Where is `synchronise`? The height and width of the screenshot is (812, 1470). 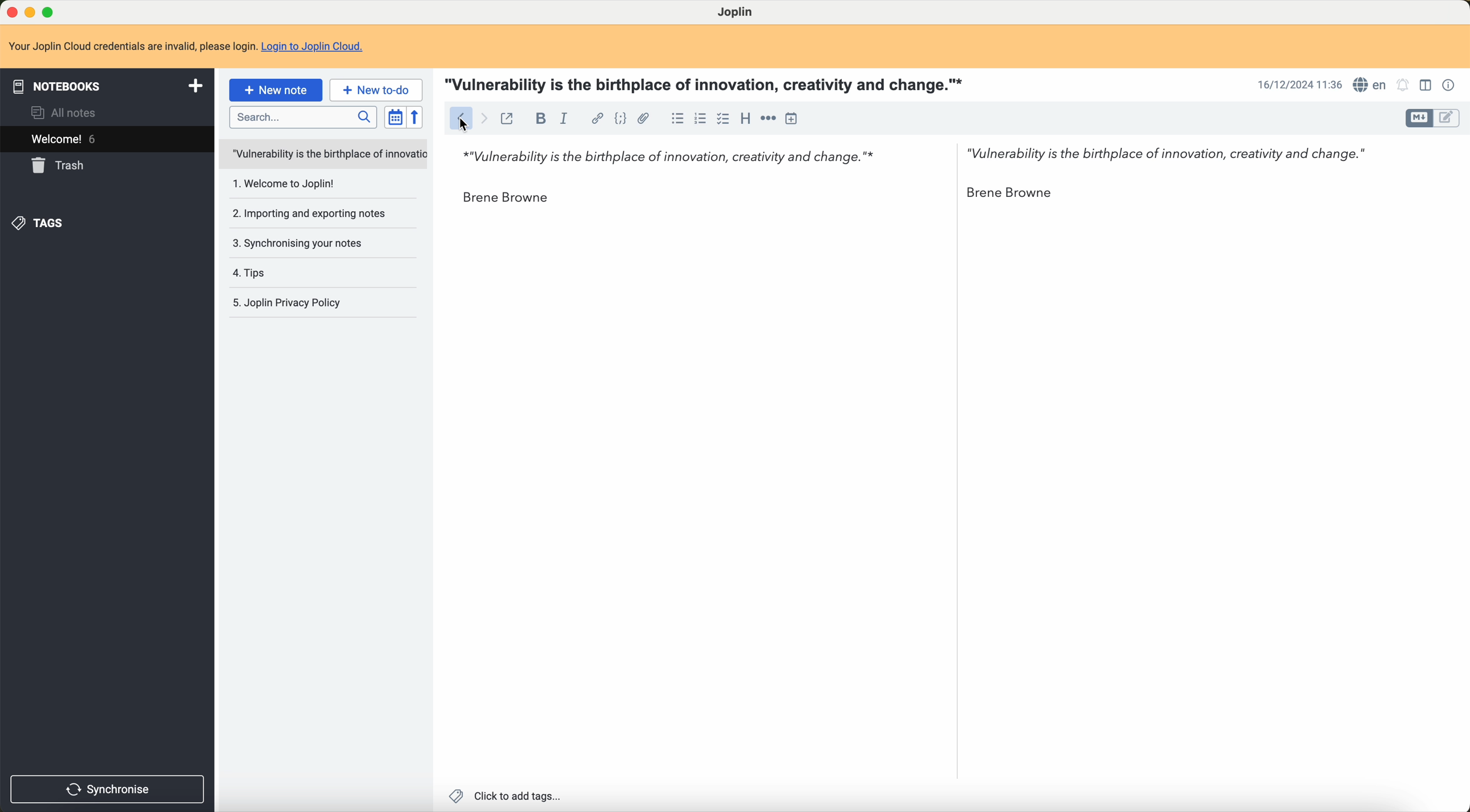 synchronise is located at coordinates (109, 788).